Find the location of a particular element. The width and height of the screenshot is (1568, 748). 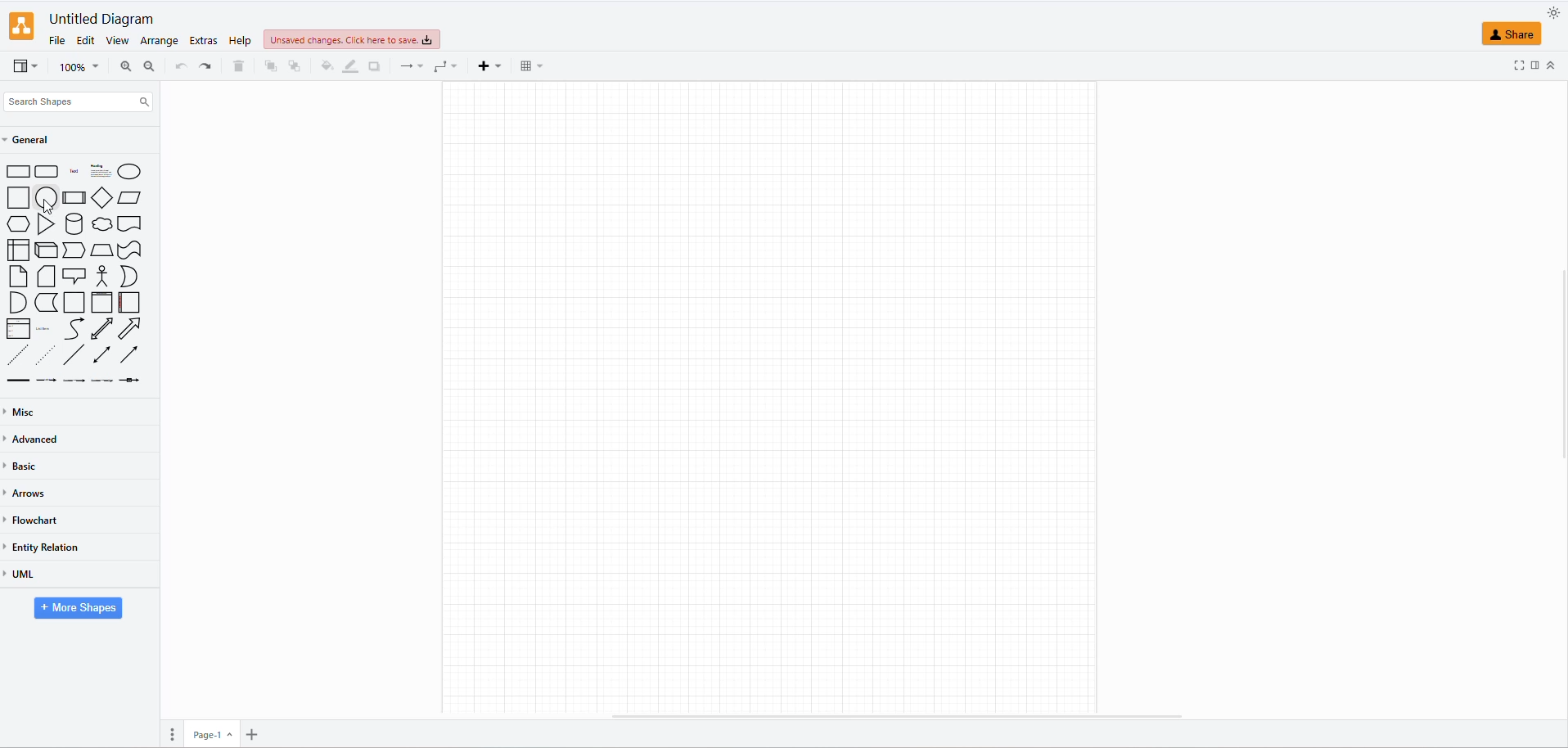

LIST is located at coordinates (19, 329).